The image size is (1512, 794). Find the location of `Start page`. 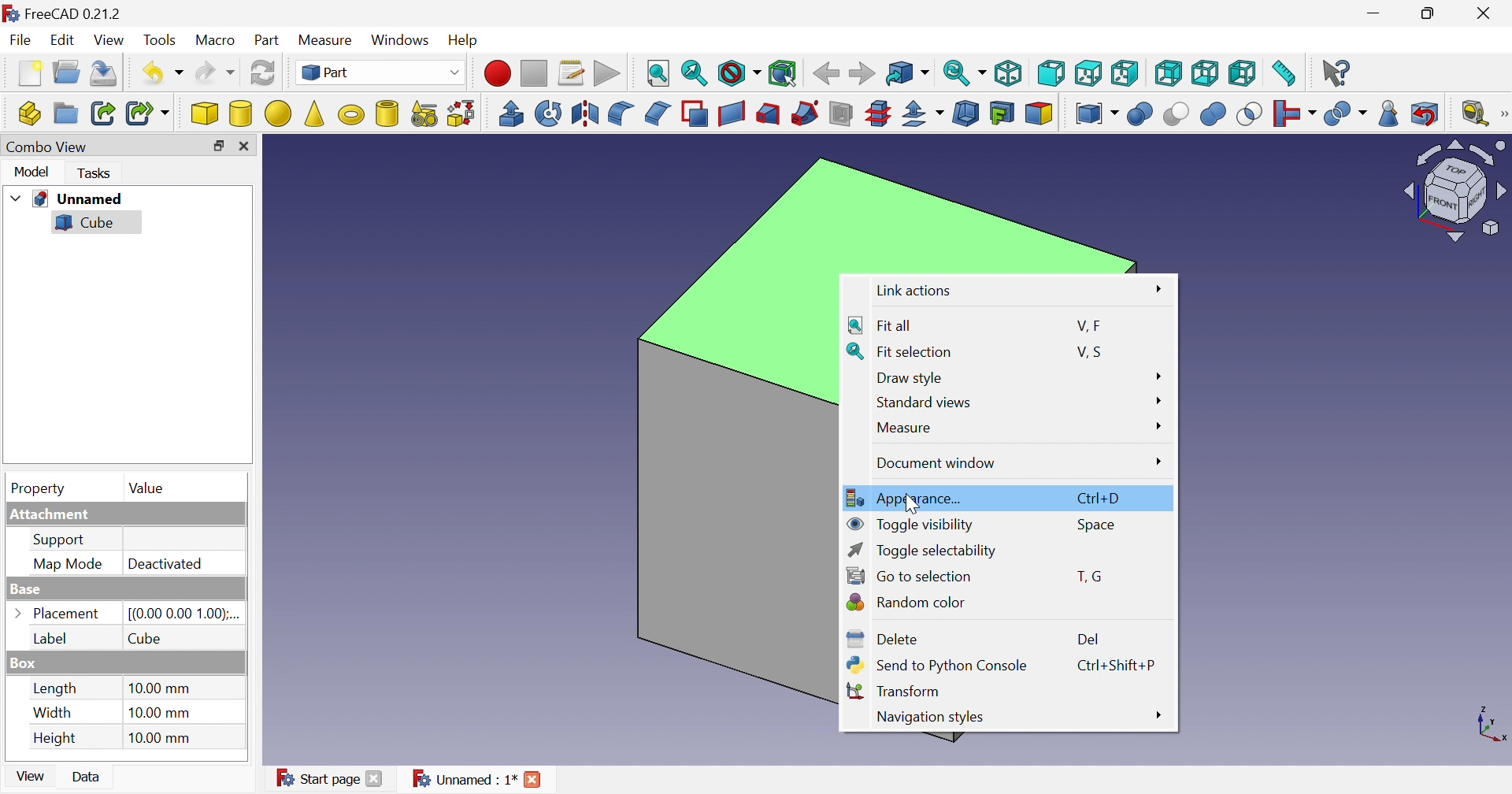

Start page is located at coordinates (317, 779).